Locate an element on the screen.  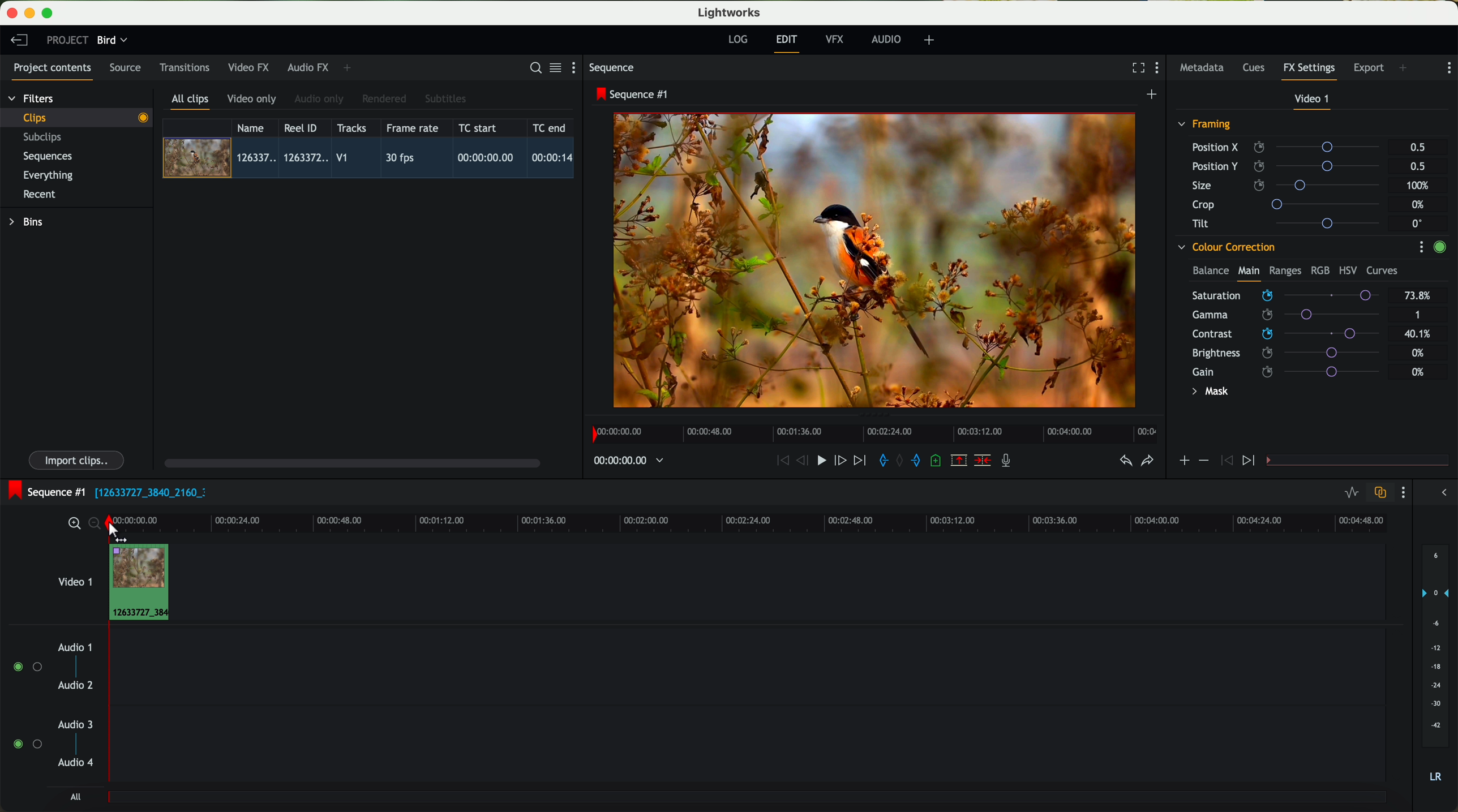
source is located at coordinates (125, 68).